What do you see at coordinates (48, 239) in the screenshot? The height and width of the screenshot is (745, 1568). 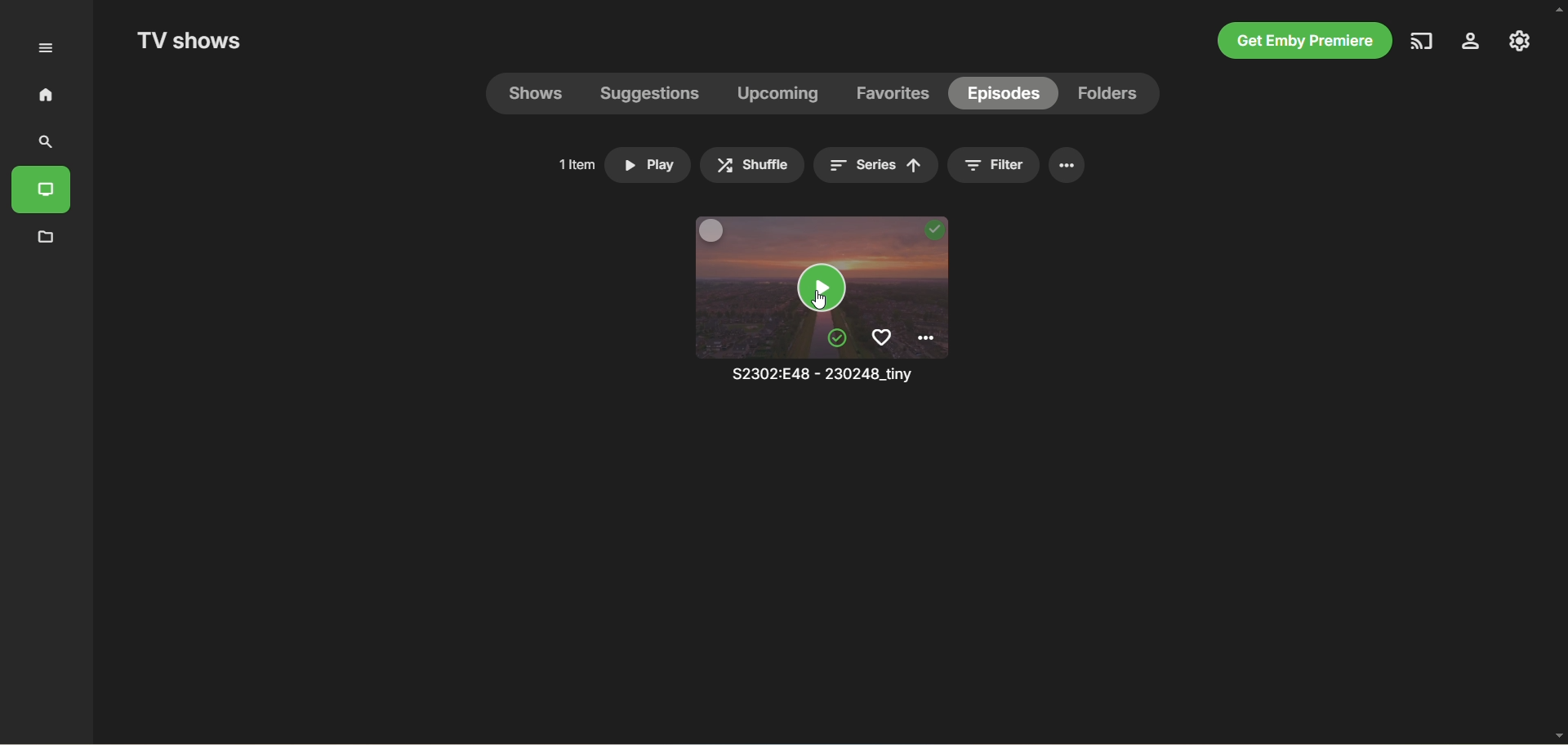 I see `folder` at bounding box center [48, 239].